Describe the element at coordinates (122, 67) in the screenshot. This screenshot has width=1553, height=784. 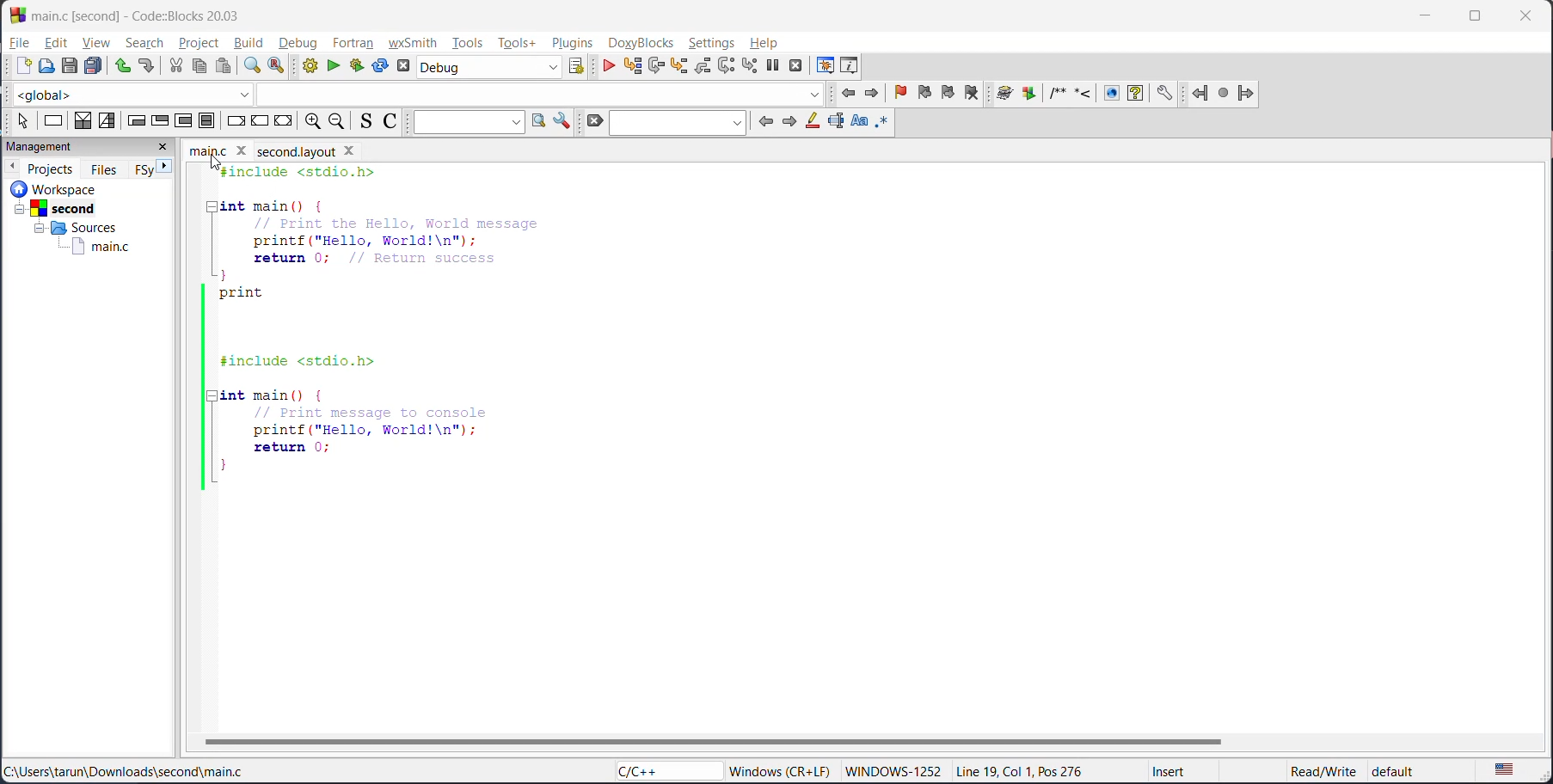
I see `undo` at that location.